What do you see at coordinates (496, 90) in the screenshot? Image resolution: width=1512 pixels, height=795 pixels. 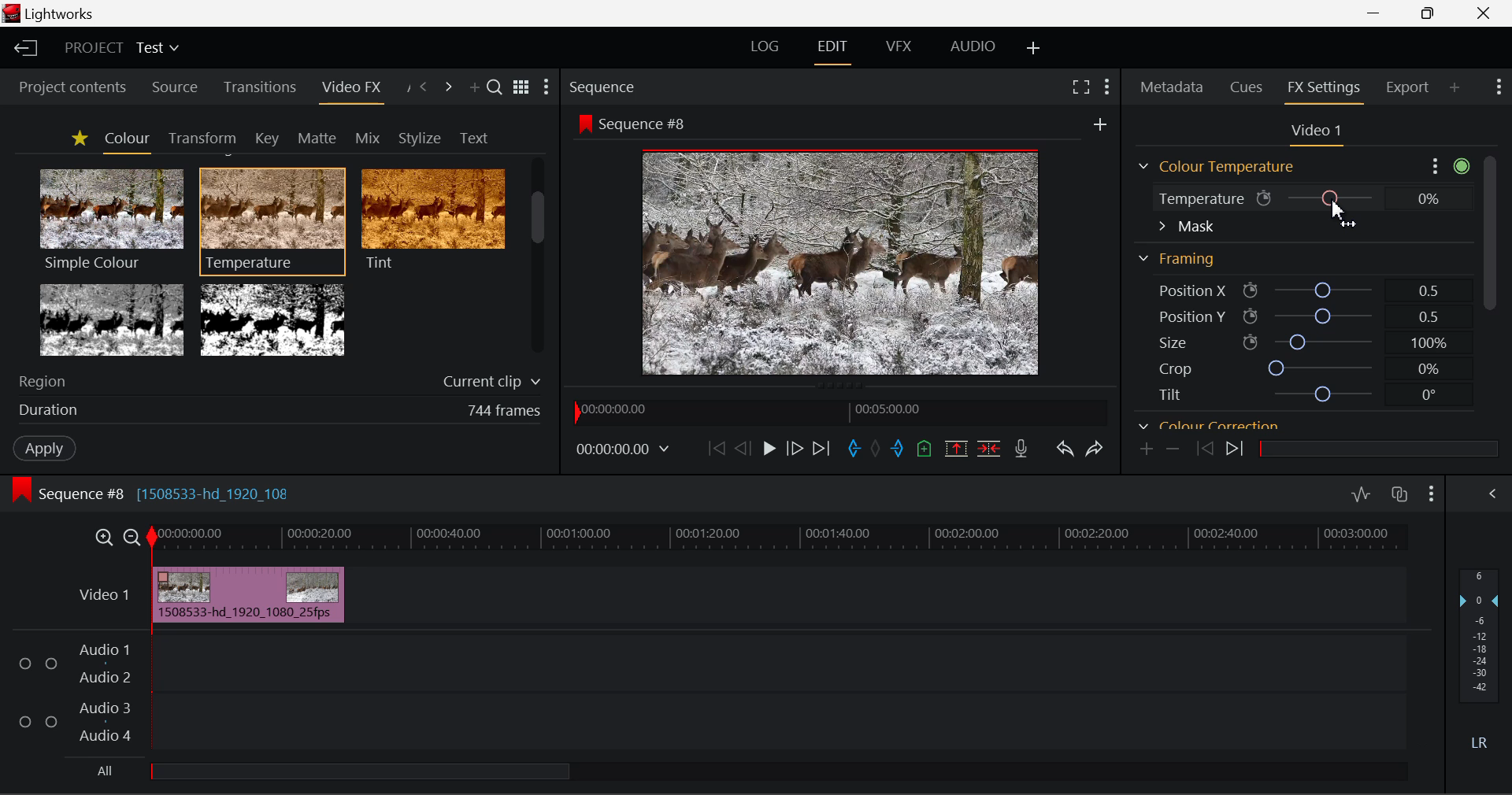 I see `Search` at bounding box center [496, 90].